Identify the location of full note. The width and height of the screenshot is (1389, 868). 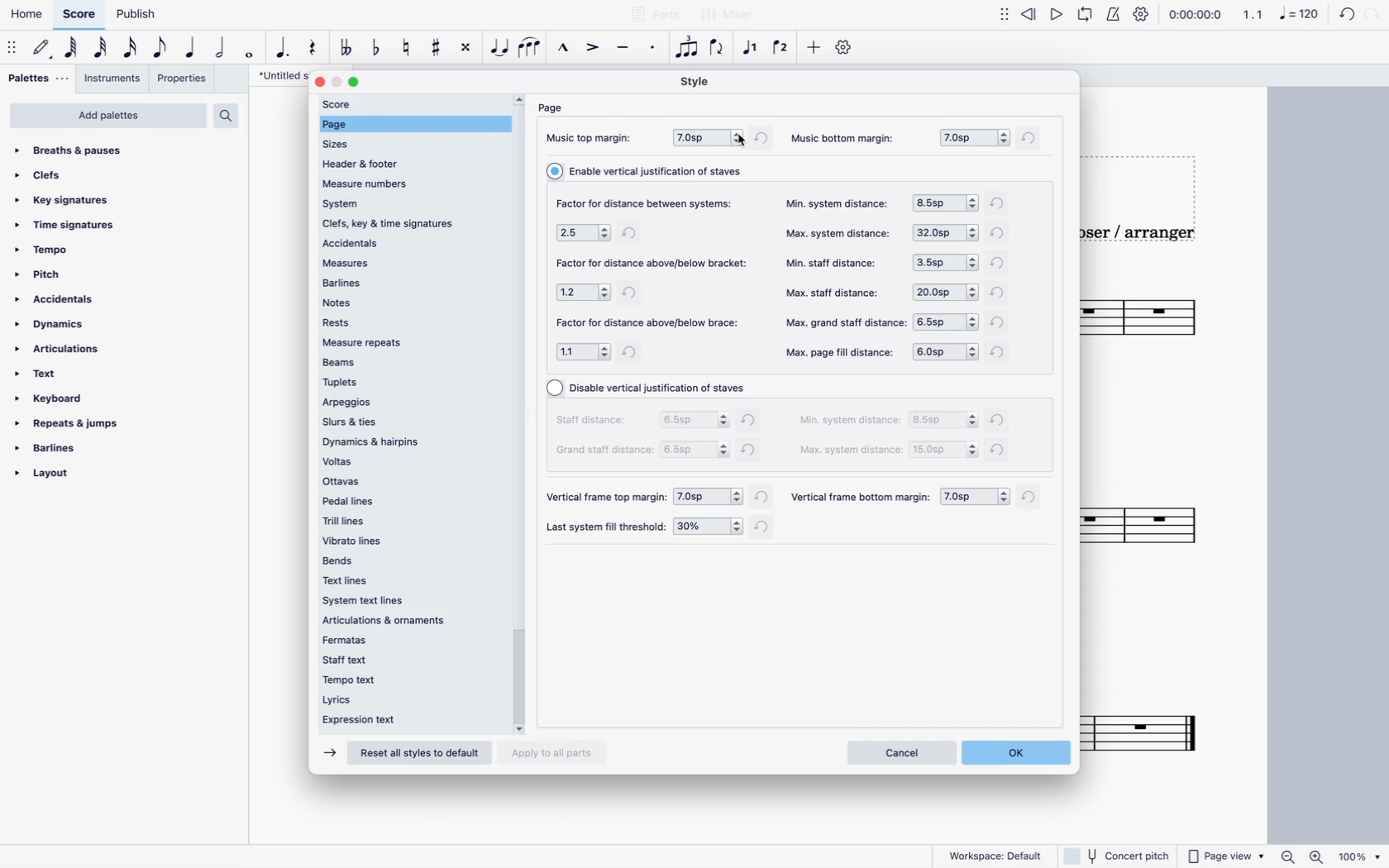
(248, 51).